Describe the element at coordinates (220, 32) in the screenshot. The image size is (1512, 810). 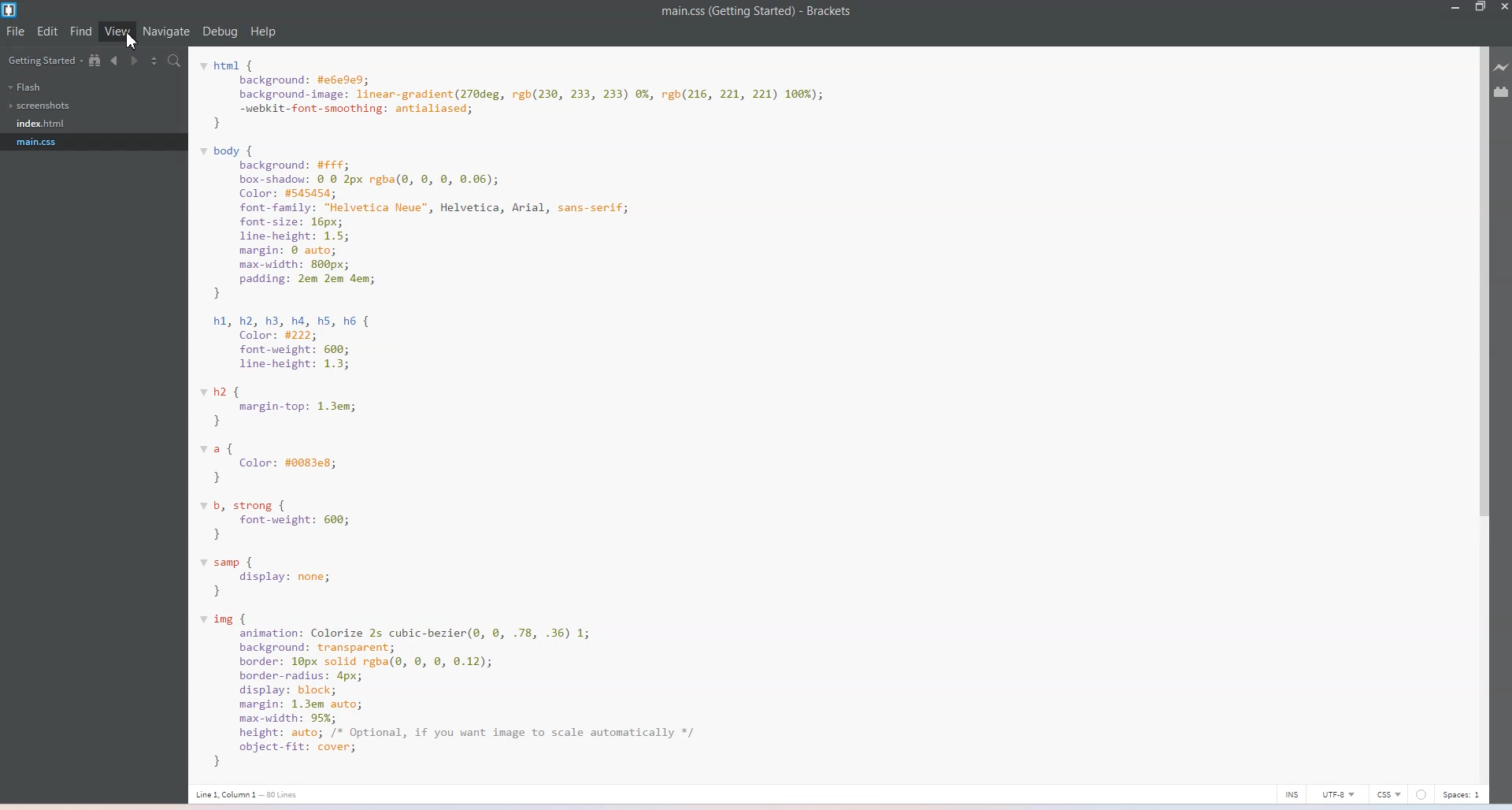
I see `Debug` at that location.